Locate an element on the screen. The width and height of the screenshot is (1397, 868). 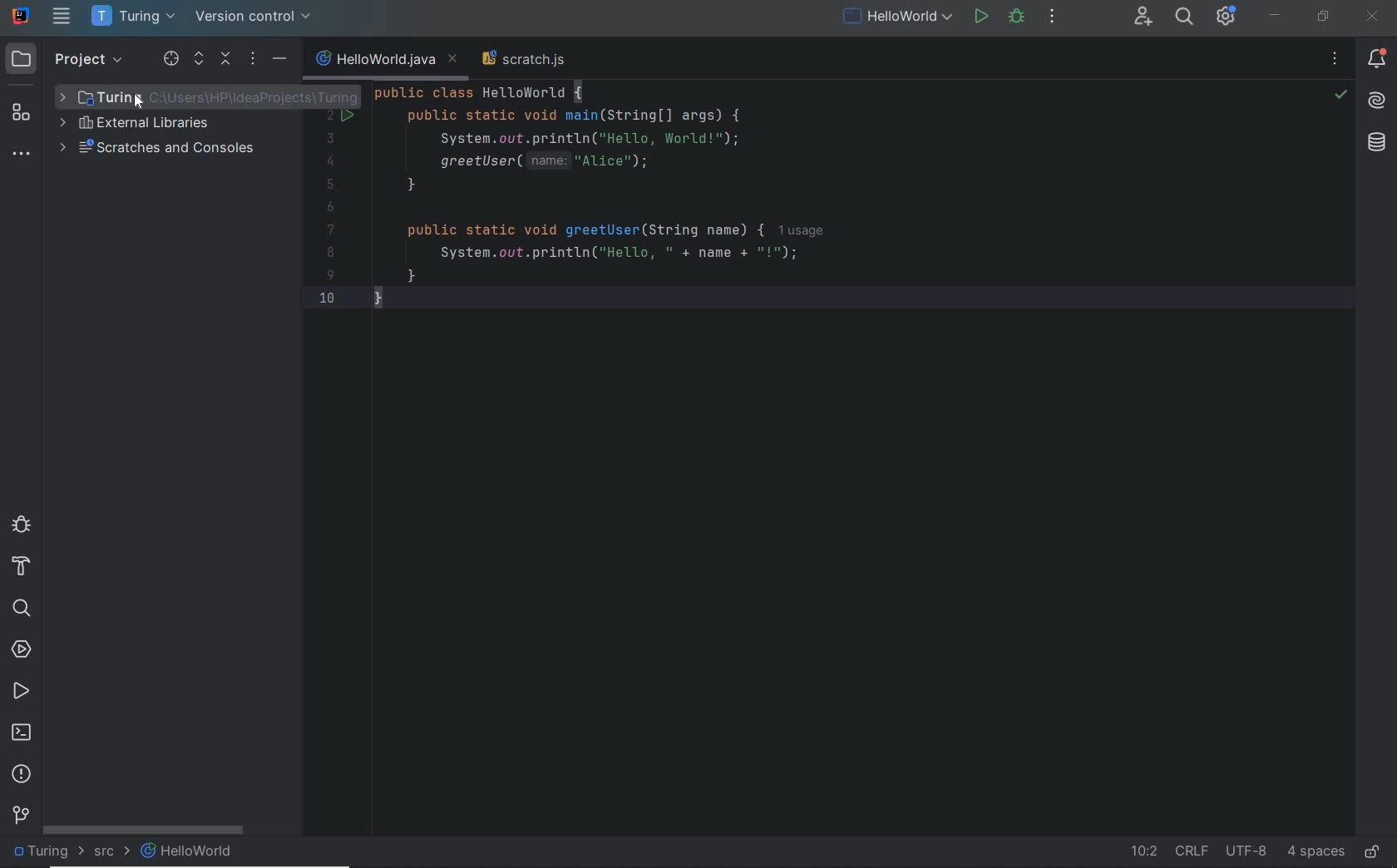
file encoding is located at coordinates (1247, 851).